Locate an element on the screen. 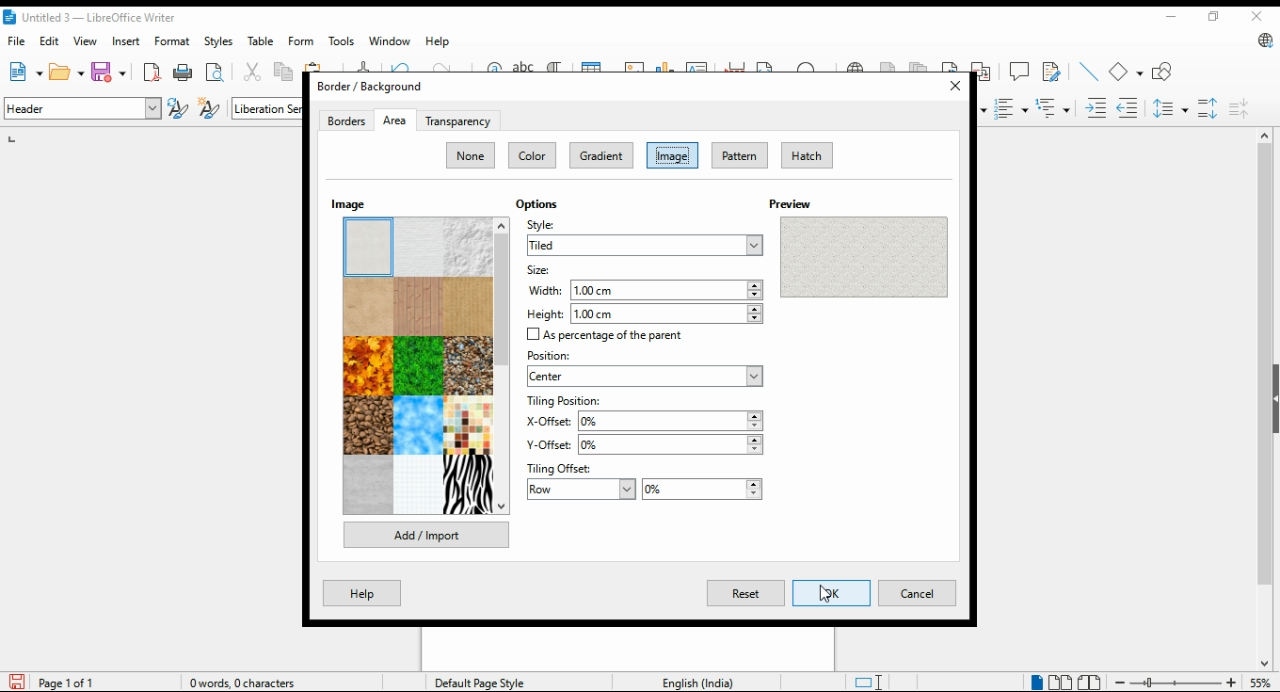  format directly as pdf is located at coordinates (153, 72).